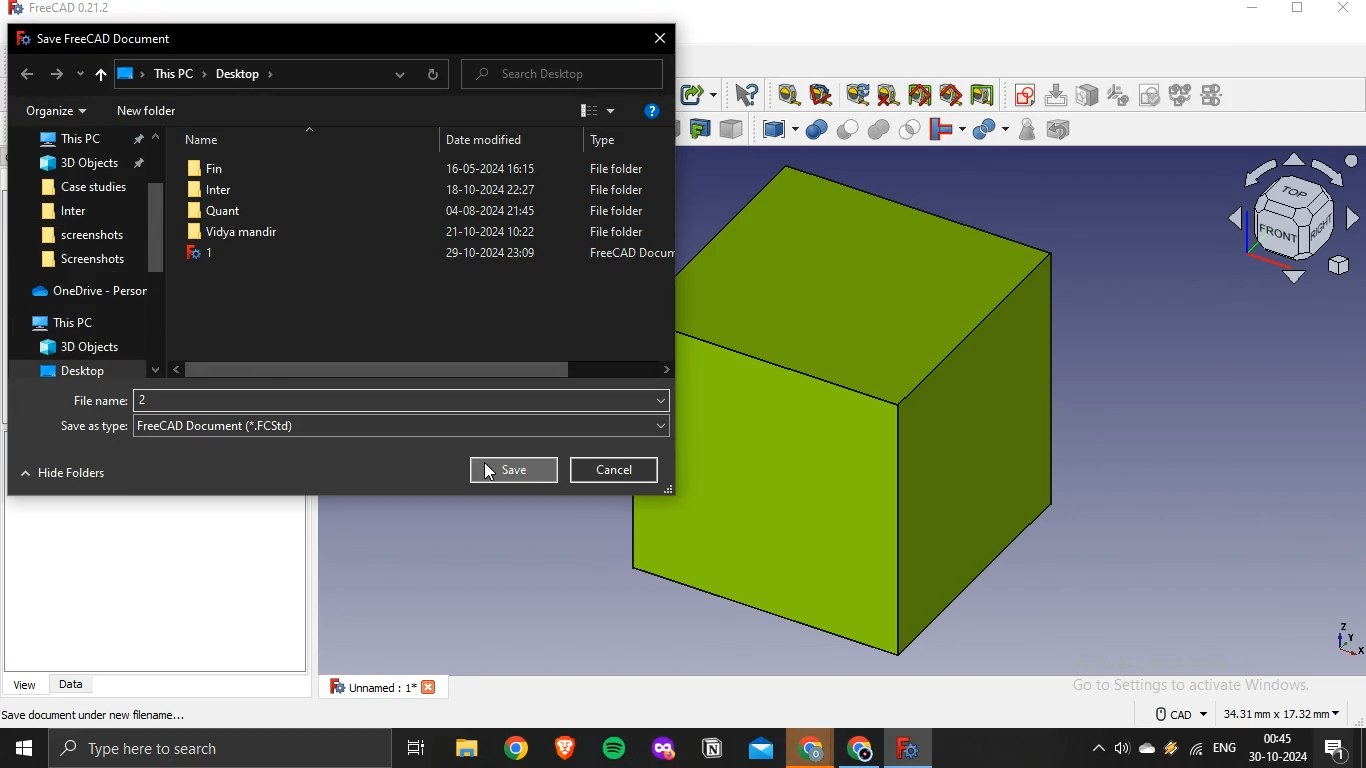 The width and height of the screenshot is (1366, 768). Describe the element at coordinates (201, 749) in the screenshot. I see `type here to search` at that location.